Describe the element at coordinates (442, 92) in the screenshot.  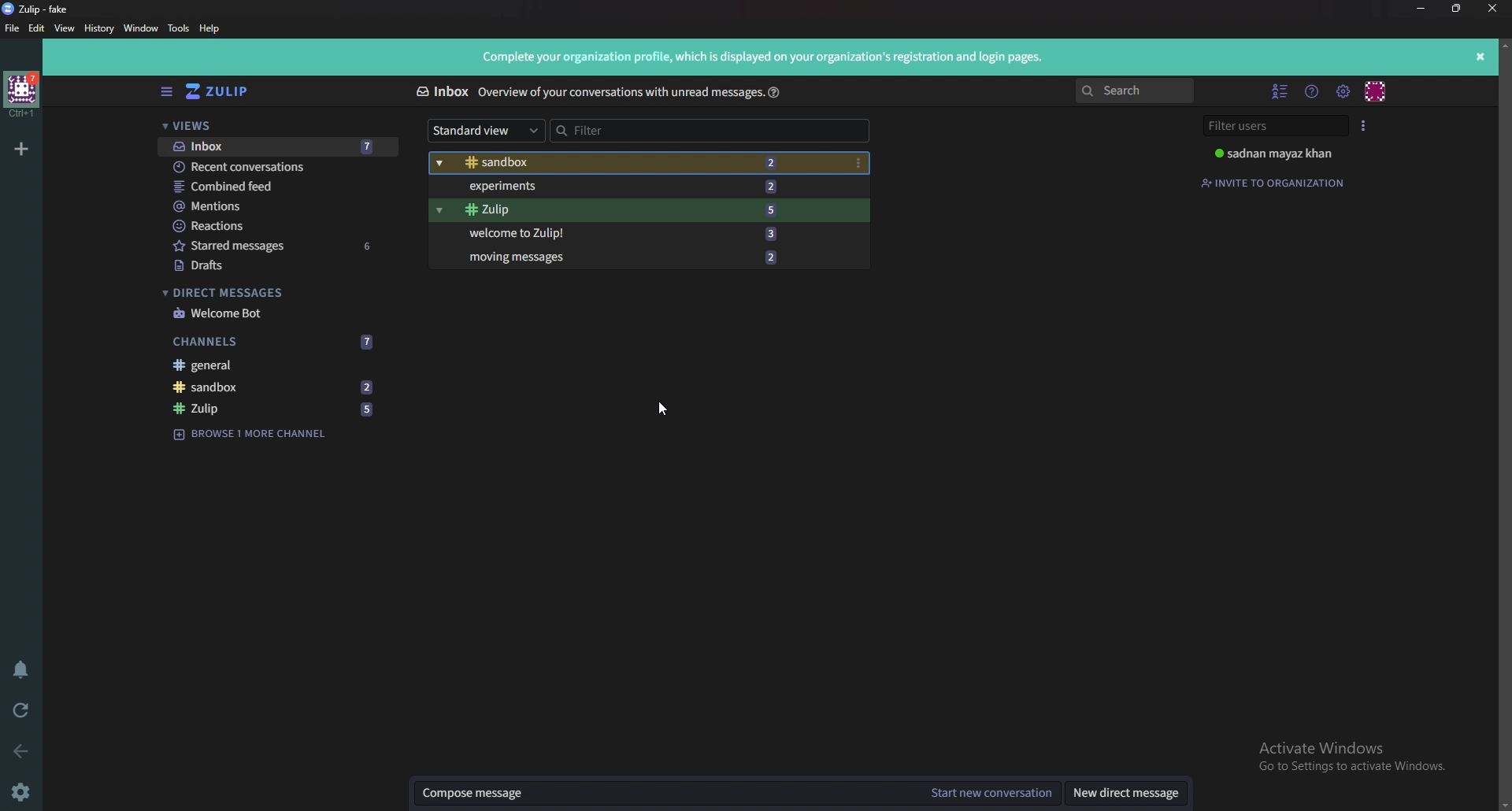
I see `Inbox` at that location.